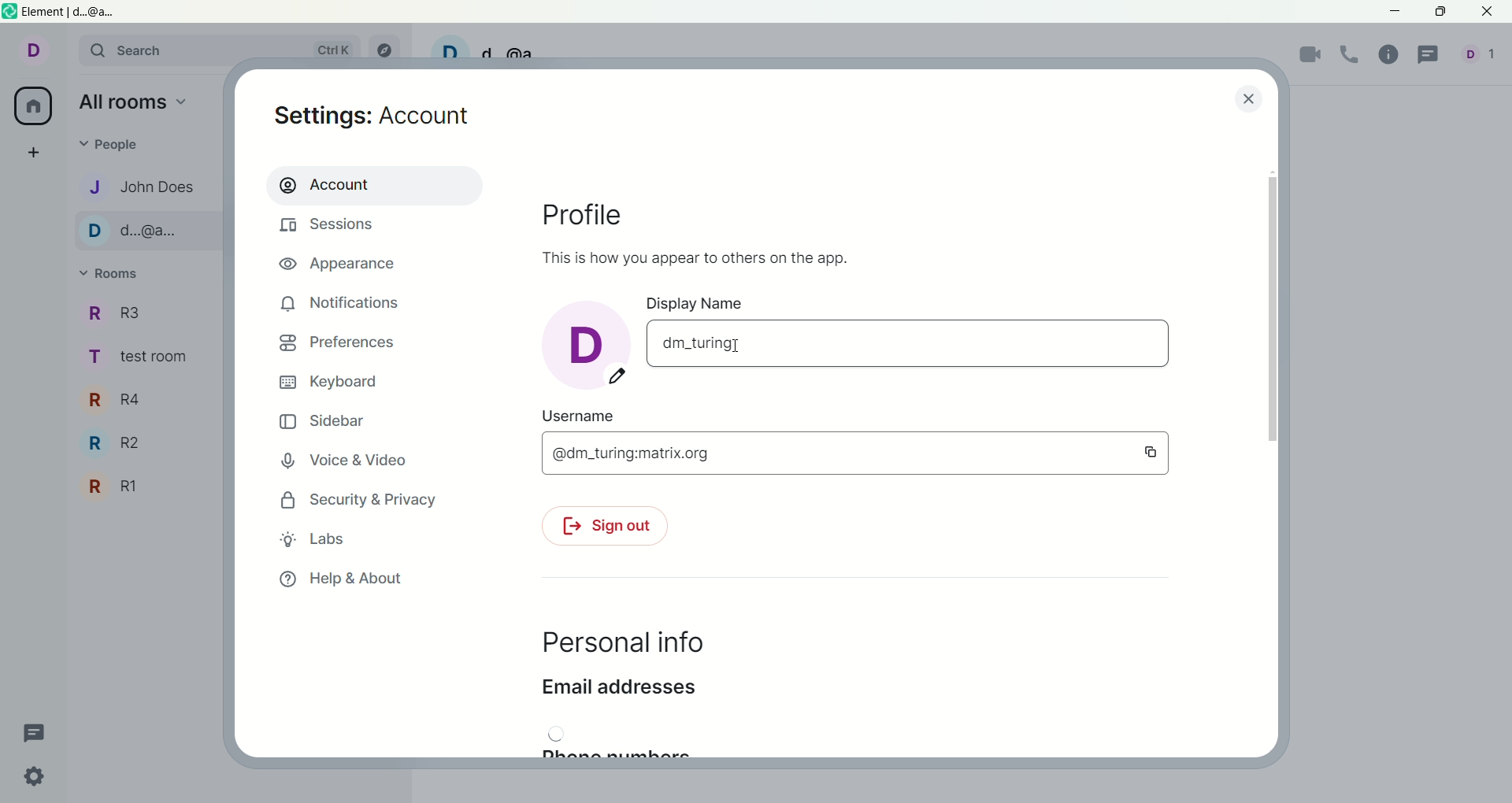 The image size is (1512, 803). What do you see at coordinates (121, 400) in the screenshot?
I see `R4` at bounding box center [121, 400].